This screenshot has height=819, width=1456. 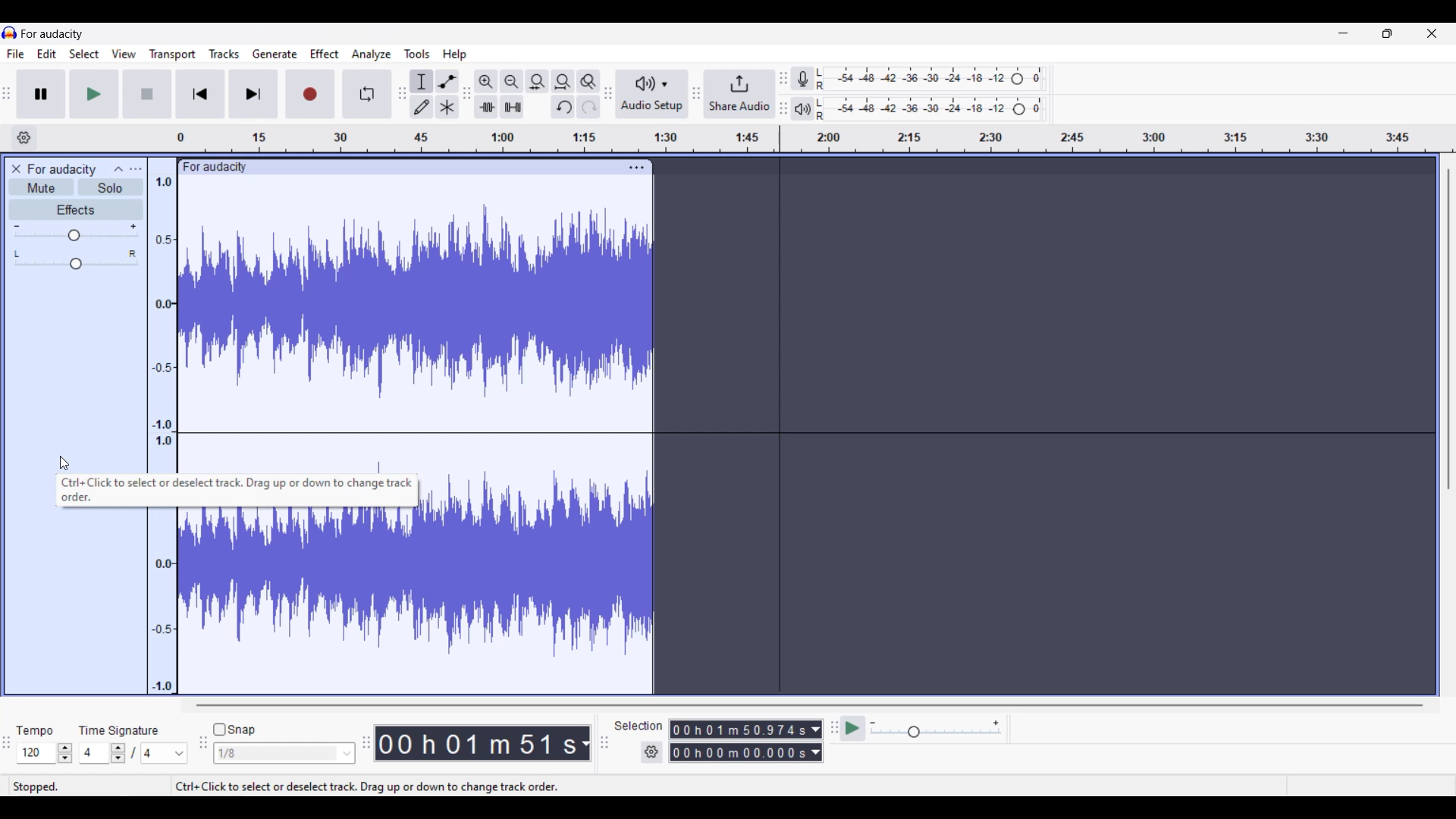 What do you see at coordinates (1344, 33) in the screenshot?
I see `Minimize` at bounding box center [1344, 33].